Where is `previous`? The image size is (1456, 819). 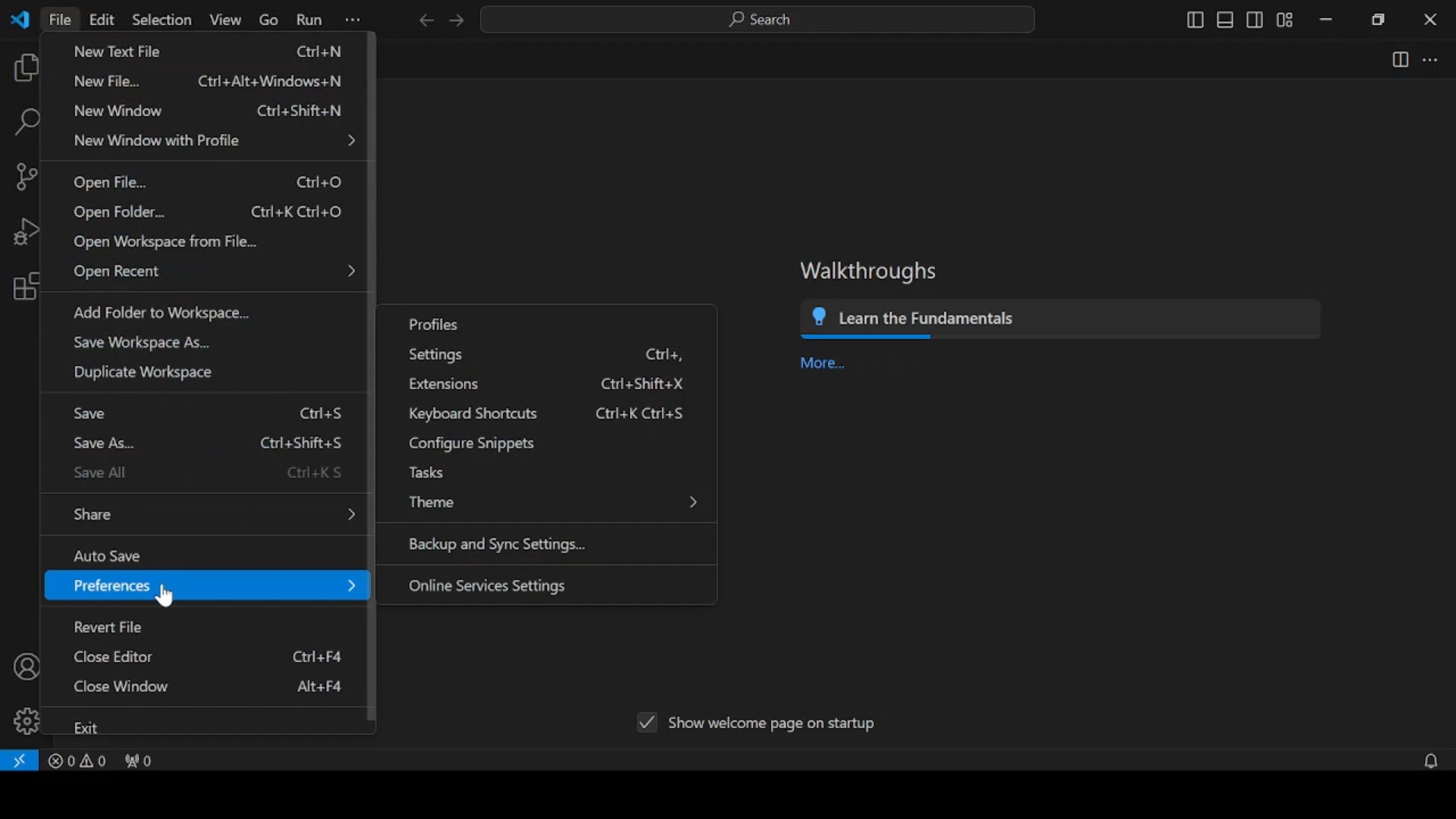 previous is located at coordinates (425, 20).